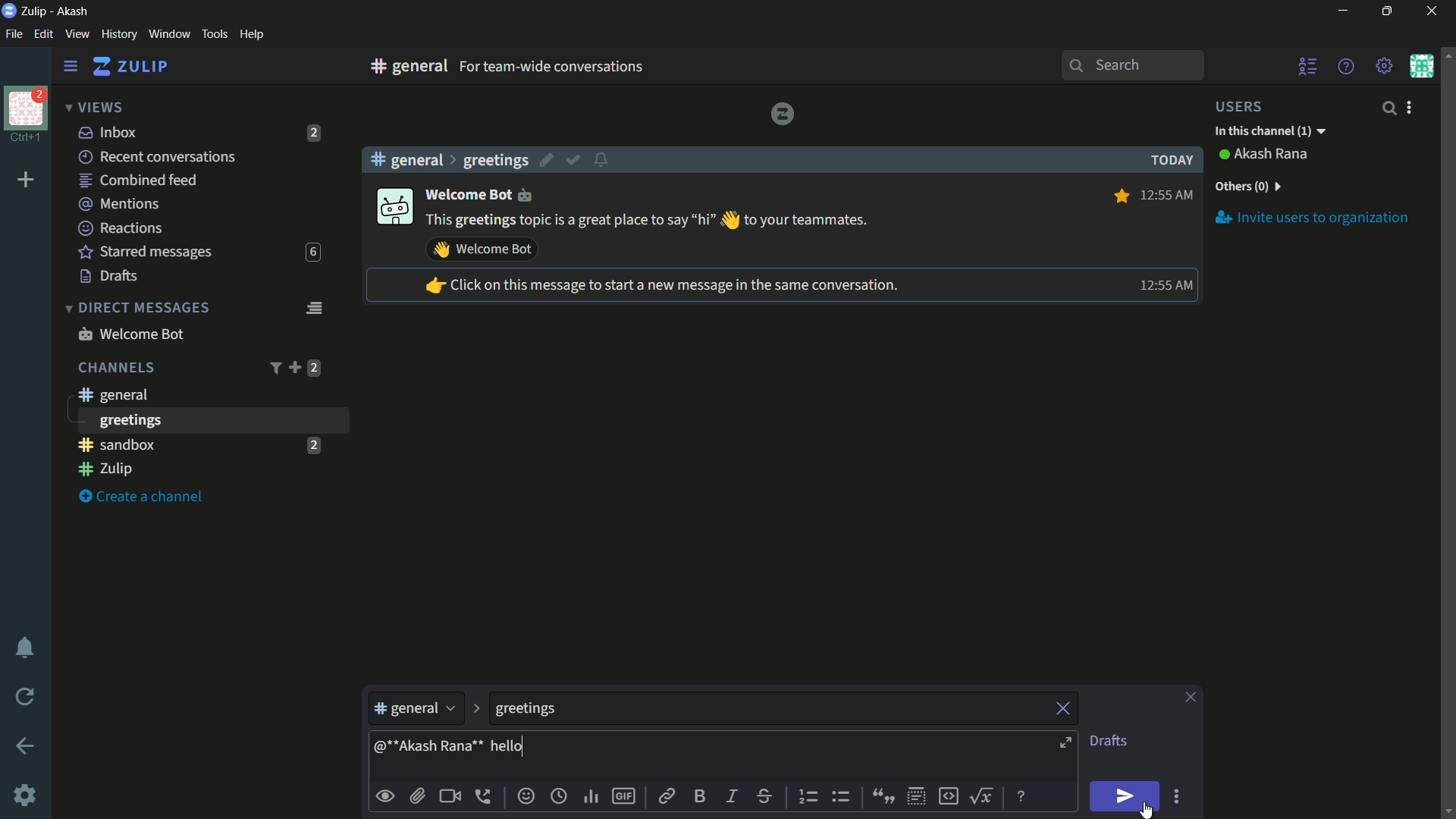 The height and width of the screenshot is (819, 1456). I want to click on reload, so click(26, 696).